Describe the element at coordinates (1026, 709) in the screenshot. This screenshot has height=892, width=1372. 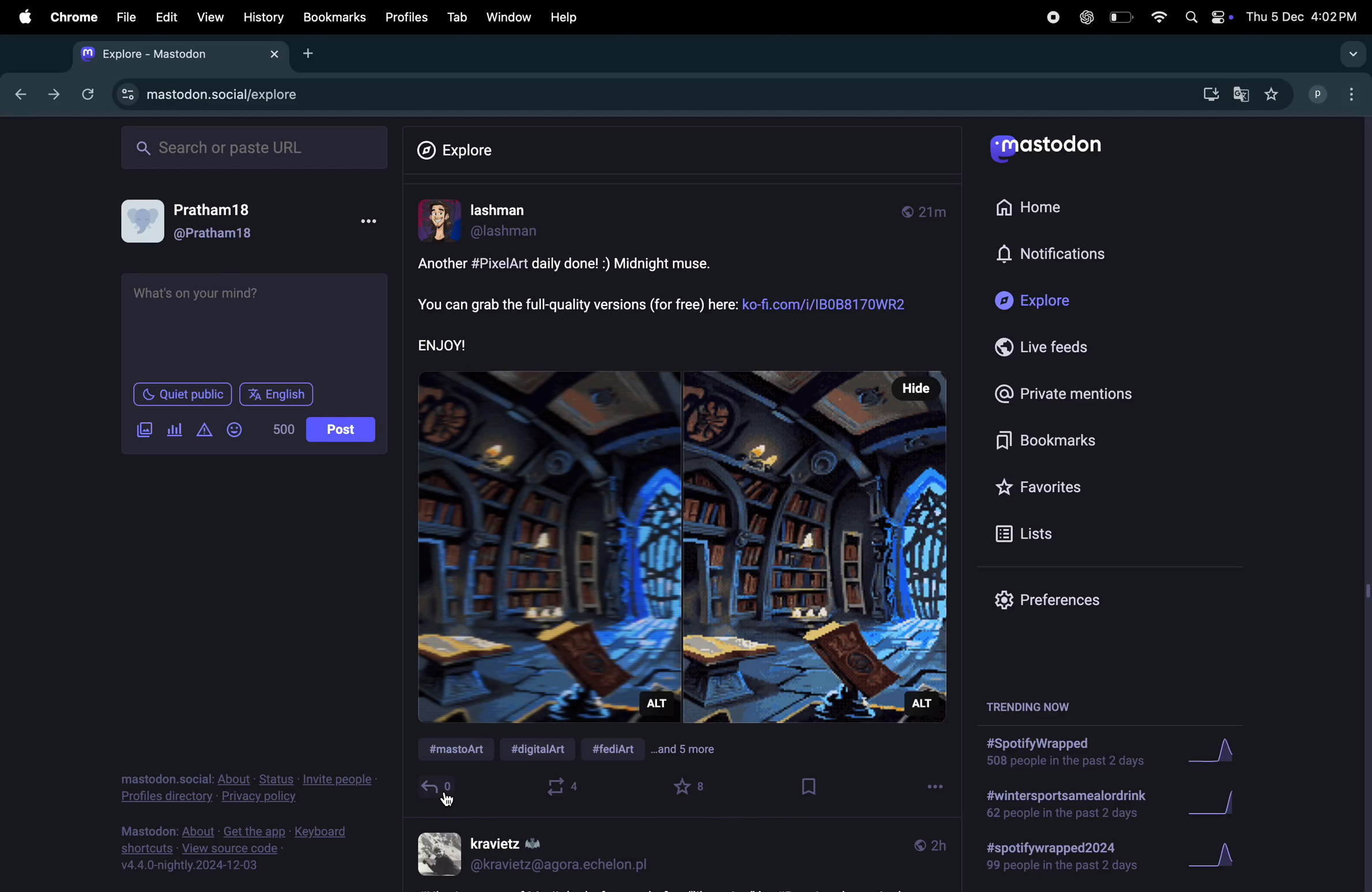
I see `trending now` at that location.